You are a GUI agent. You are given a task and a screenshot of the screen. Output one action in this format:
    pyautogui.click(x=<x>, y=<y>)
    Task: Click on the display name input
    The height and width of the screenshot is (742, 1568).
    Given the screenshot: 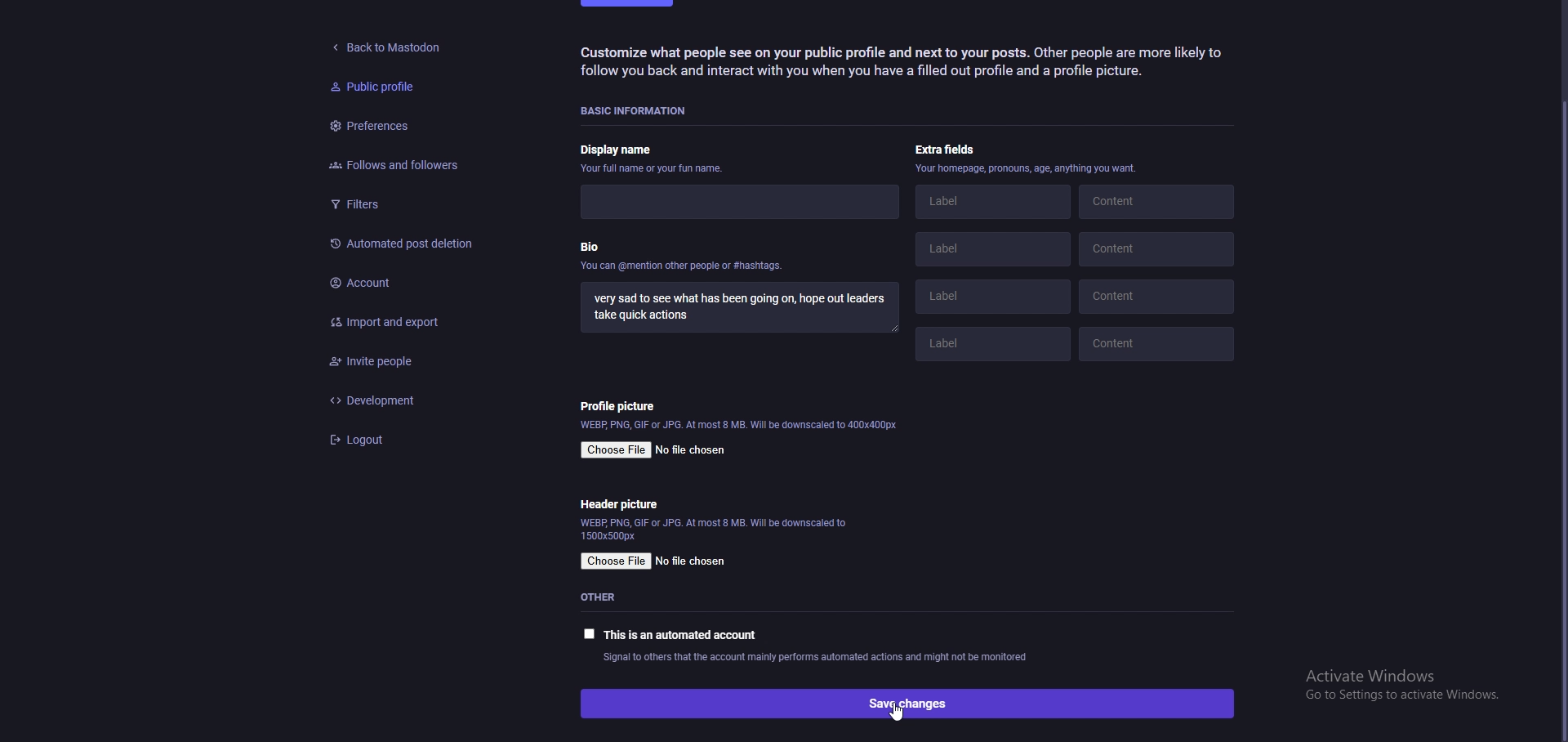 What is the action you would take?
    pyautogui.click(x=733, y=200)
    